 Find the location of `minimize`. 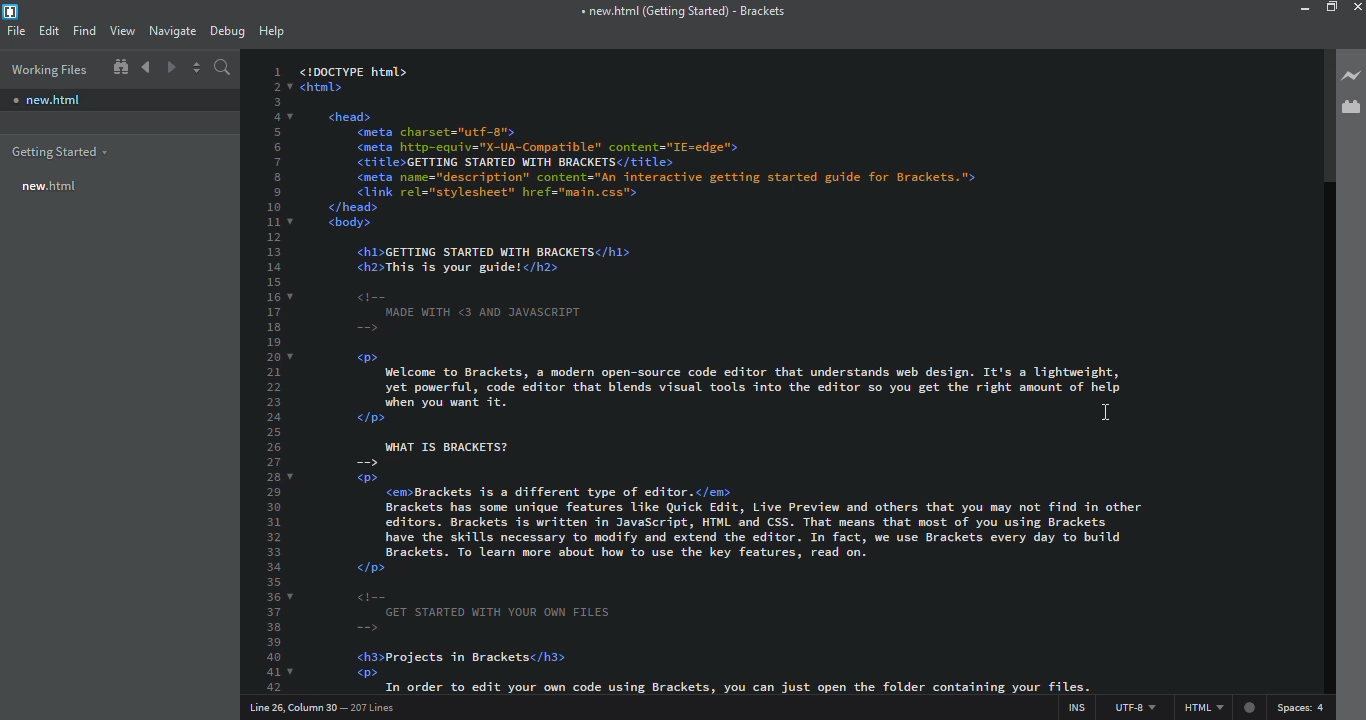

minimize is located at coordinates (1288, 8).